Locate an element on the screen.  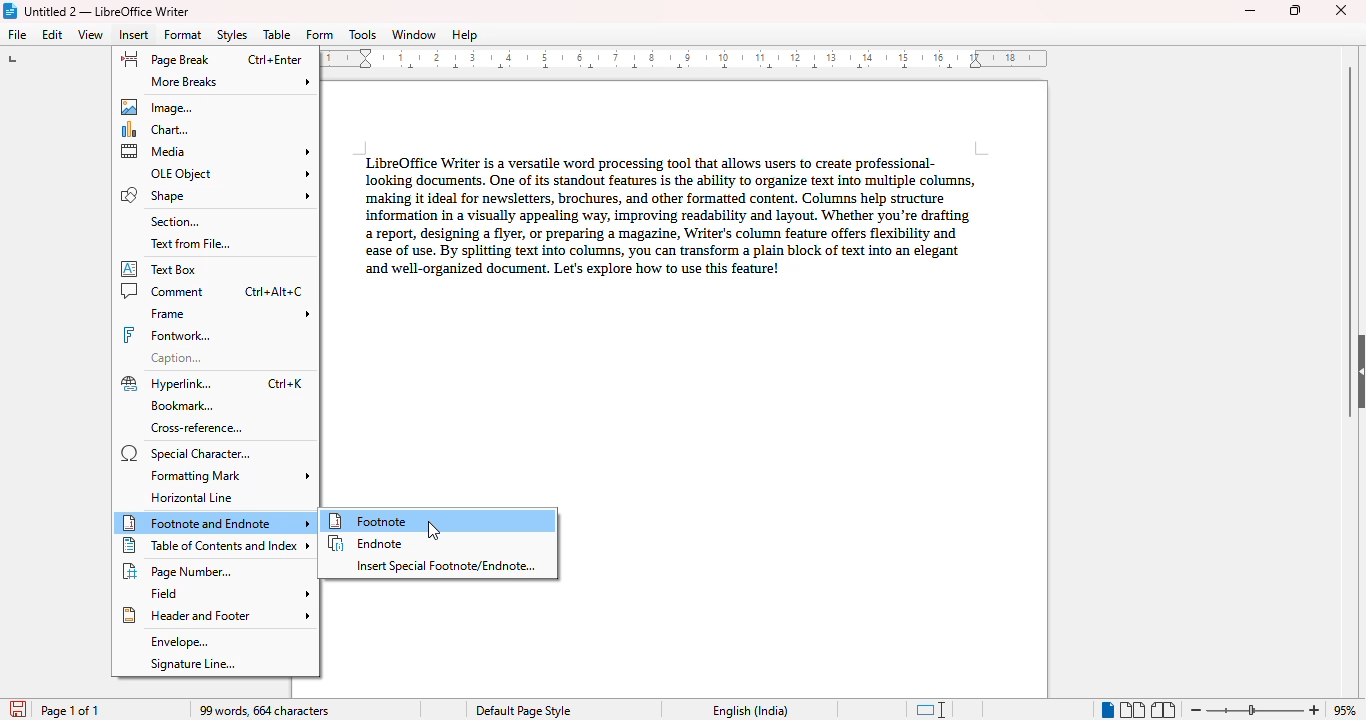
95% (current zoom level) is located at coordinates (1347, 709).